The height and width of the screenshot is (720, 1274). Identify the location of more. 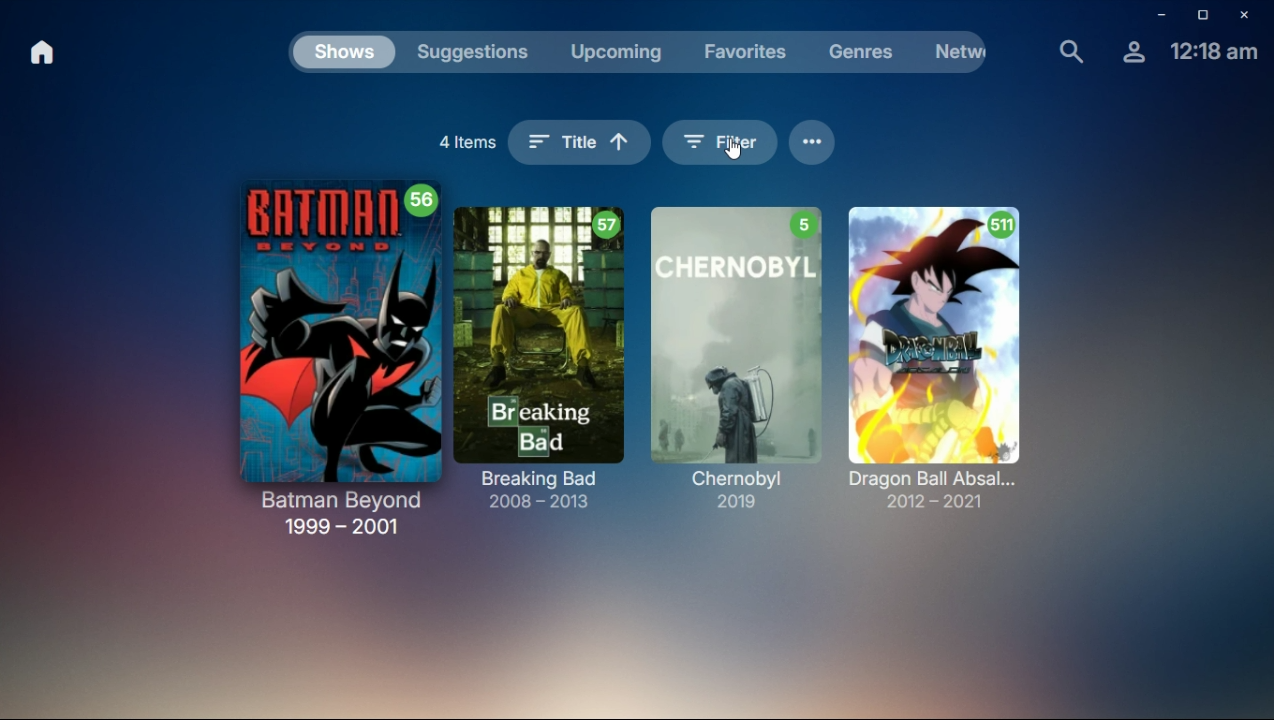
(813, 139).